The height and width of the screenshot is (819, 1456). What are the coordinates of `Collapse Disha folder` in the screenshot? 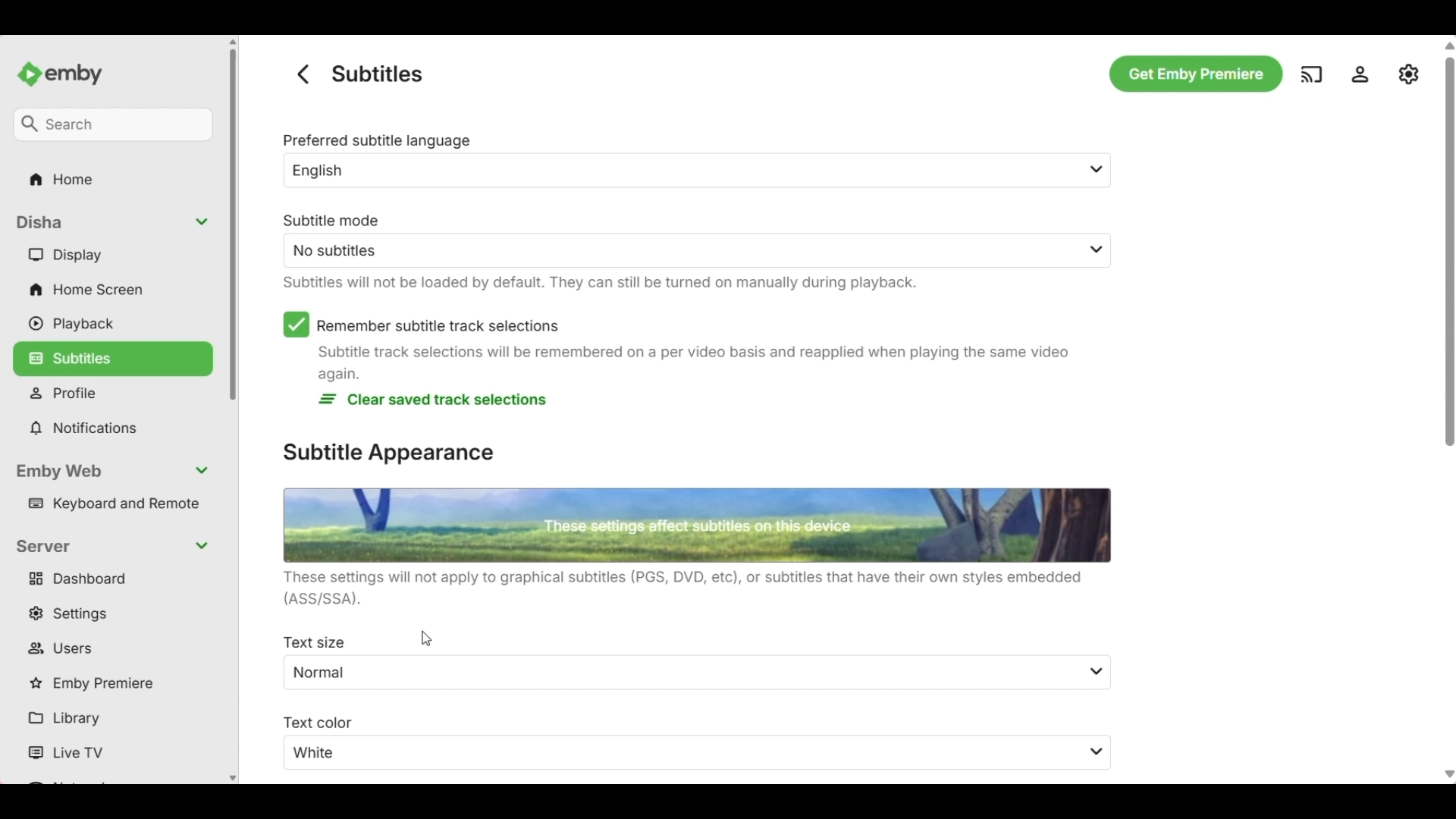 It's located at (115, 222).